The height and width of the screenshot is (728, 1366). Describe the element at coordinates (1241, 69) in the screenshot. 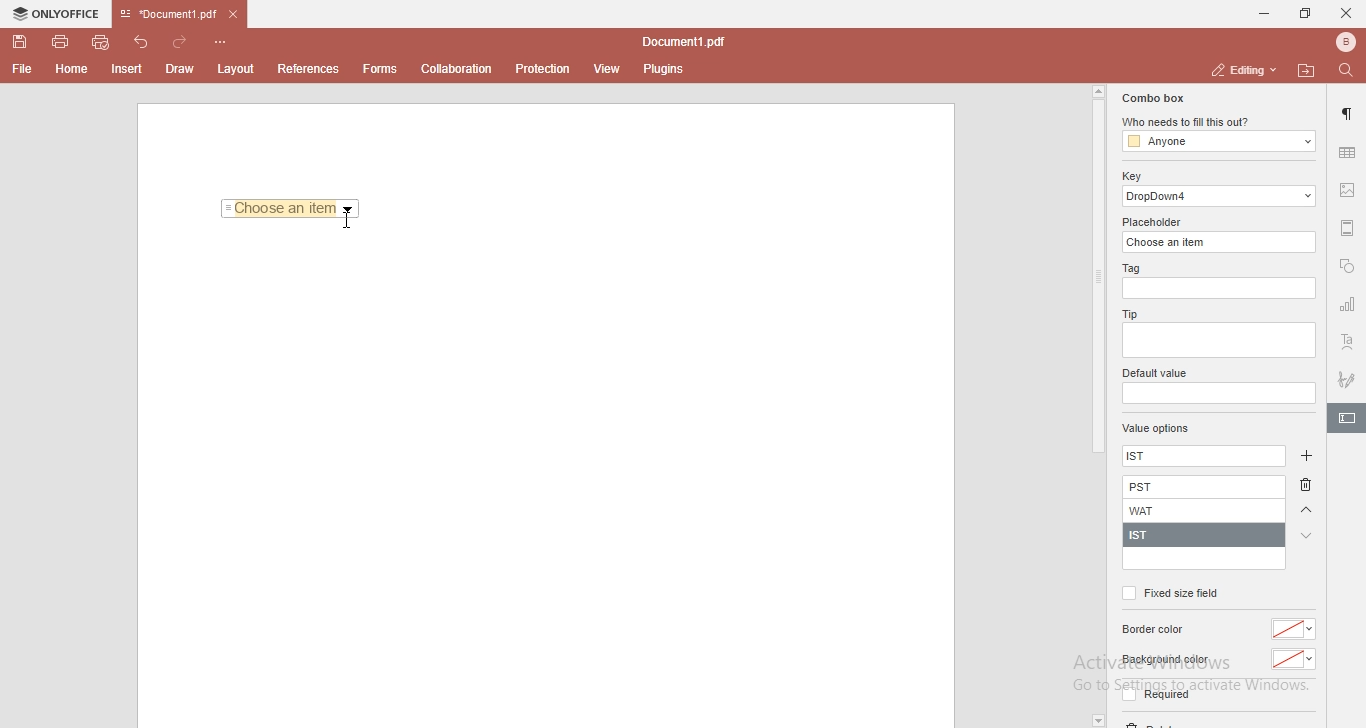

I see `editing` at that location.